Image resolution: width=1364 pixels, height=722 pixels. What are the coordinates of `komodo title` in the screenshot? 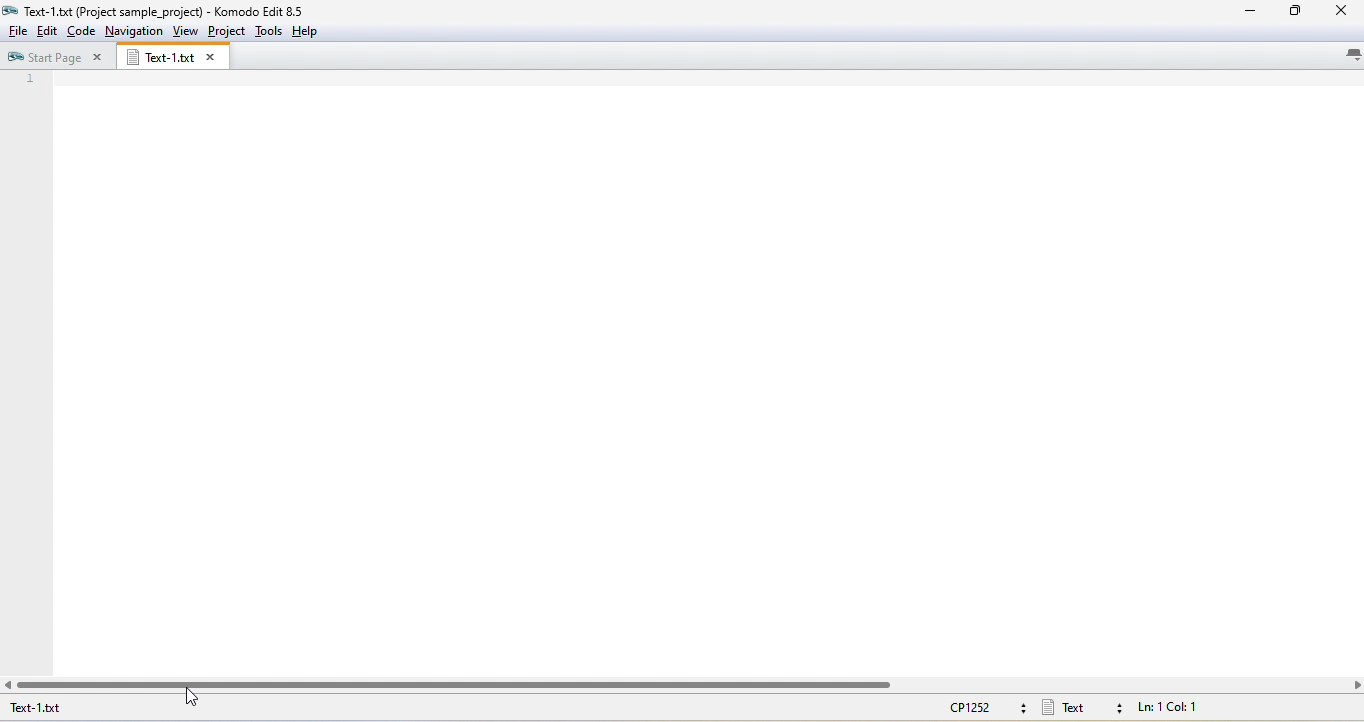 It's located at (269, 10).